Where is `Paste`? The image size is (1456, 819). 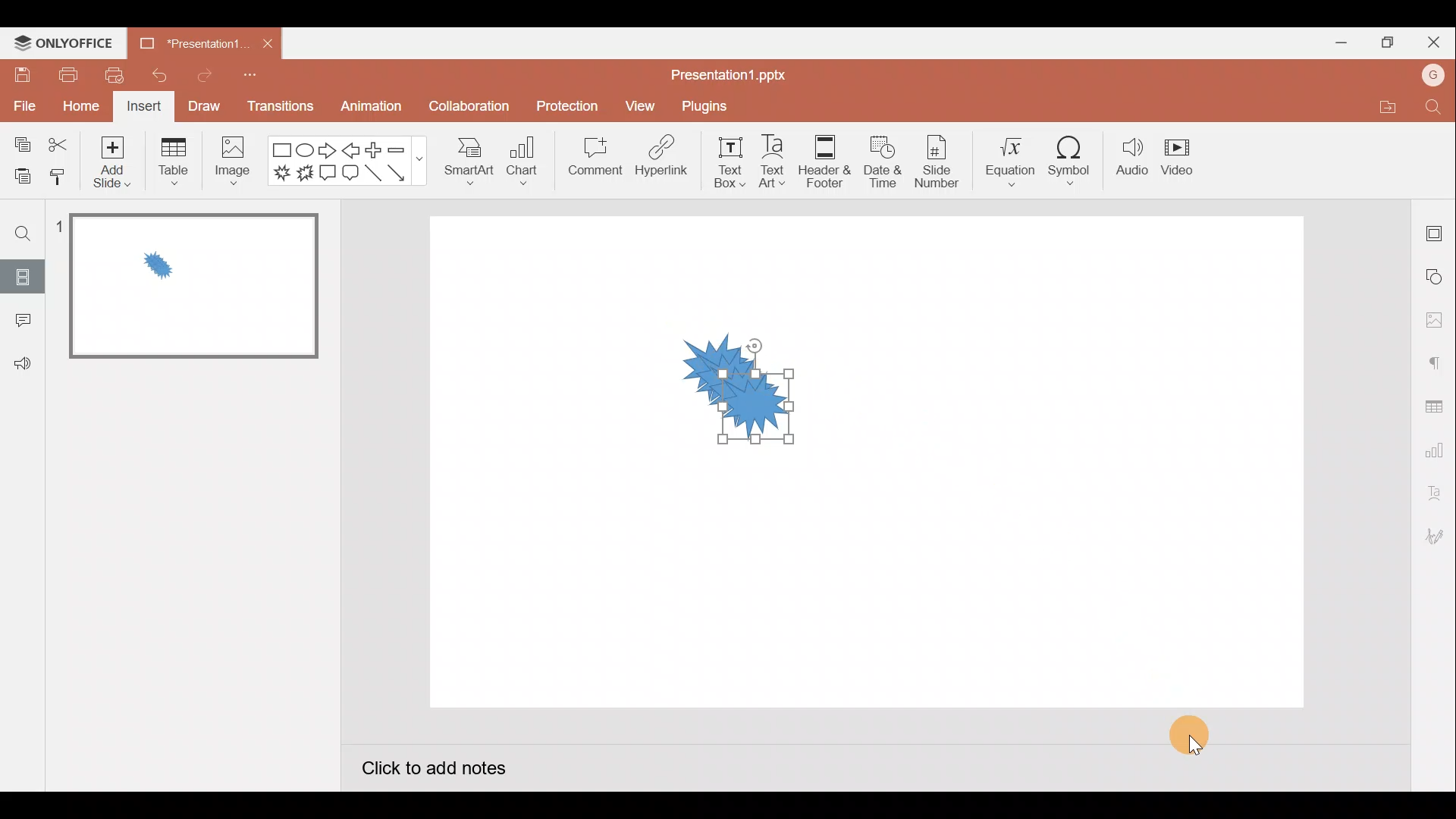 Paste is located at coordinates (21, 178).